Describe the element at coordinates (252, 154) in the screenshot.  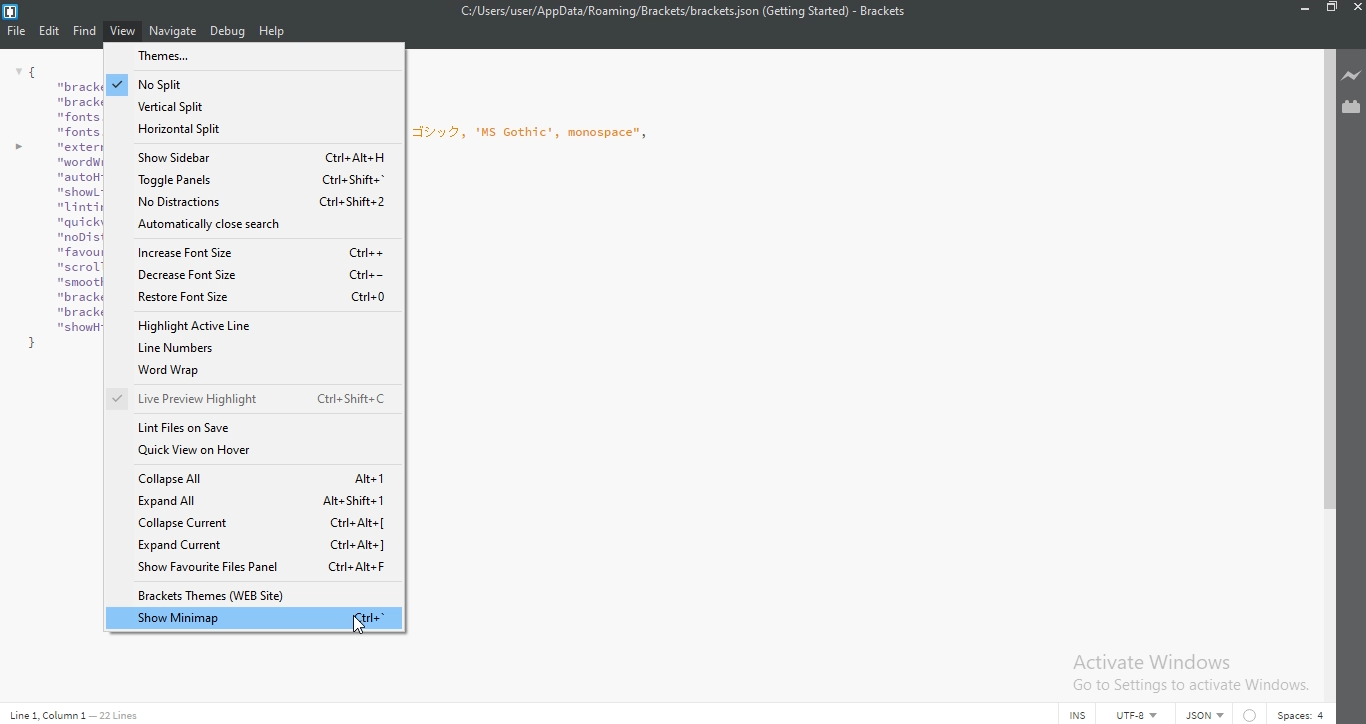
I see `show sidebar` at that location.